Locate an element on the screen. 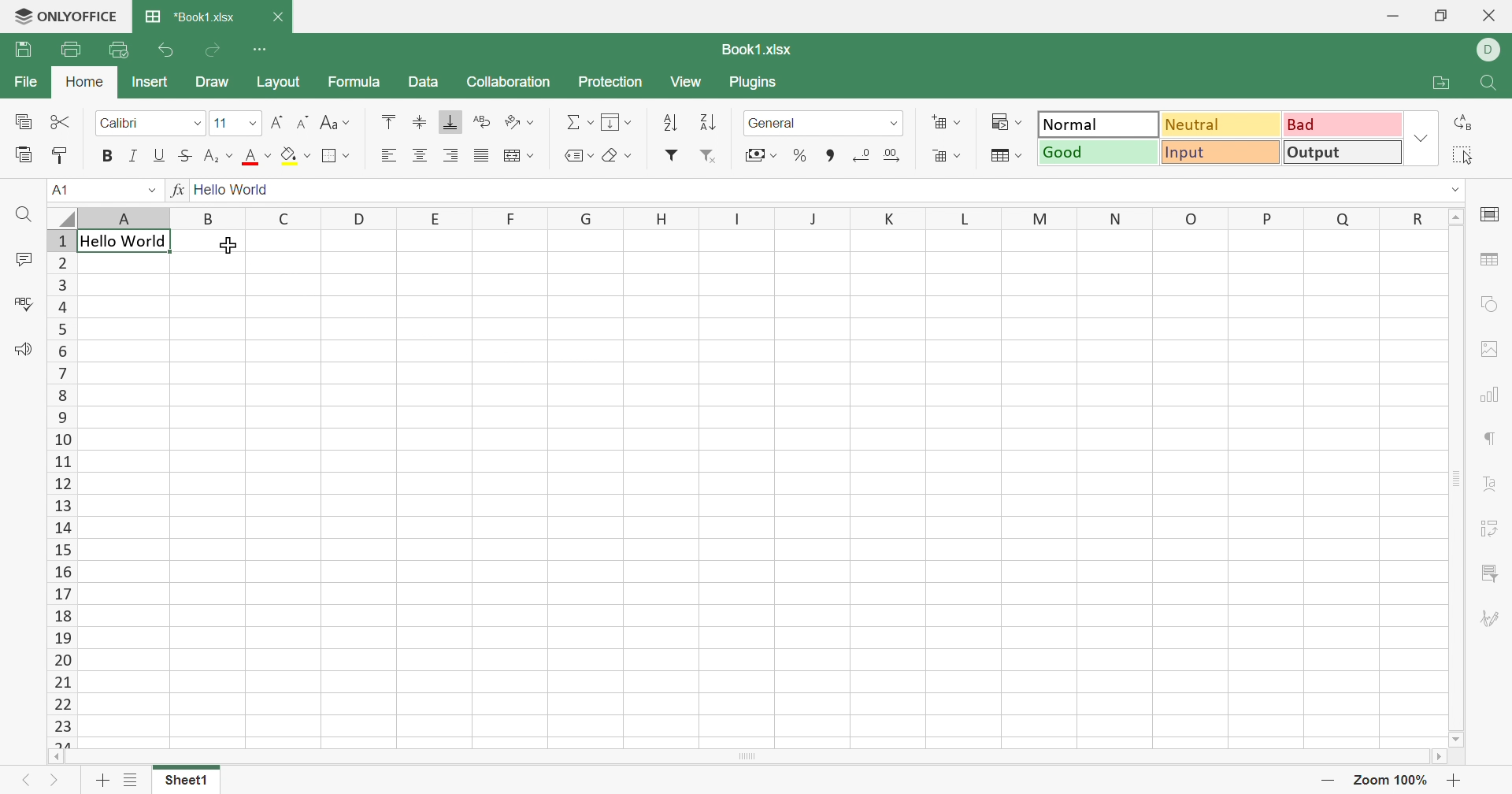 This screenshot has width=1512, height=794. Wrap text is located at coordinates (518, 156).